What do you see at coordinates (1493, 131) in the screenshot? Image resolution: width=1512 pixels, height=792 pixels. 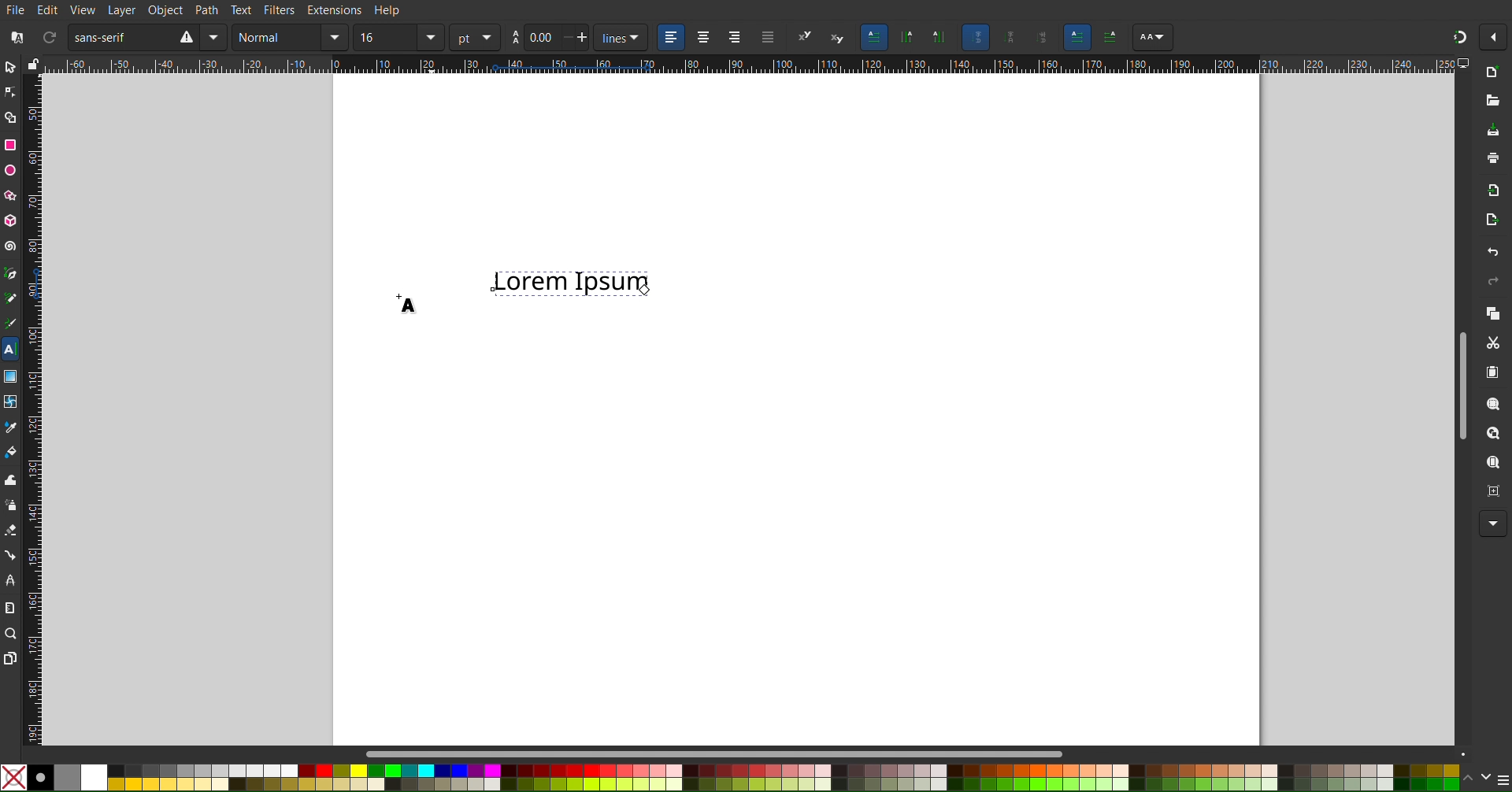 I see `Save` at bounding box center [1493, 131].